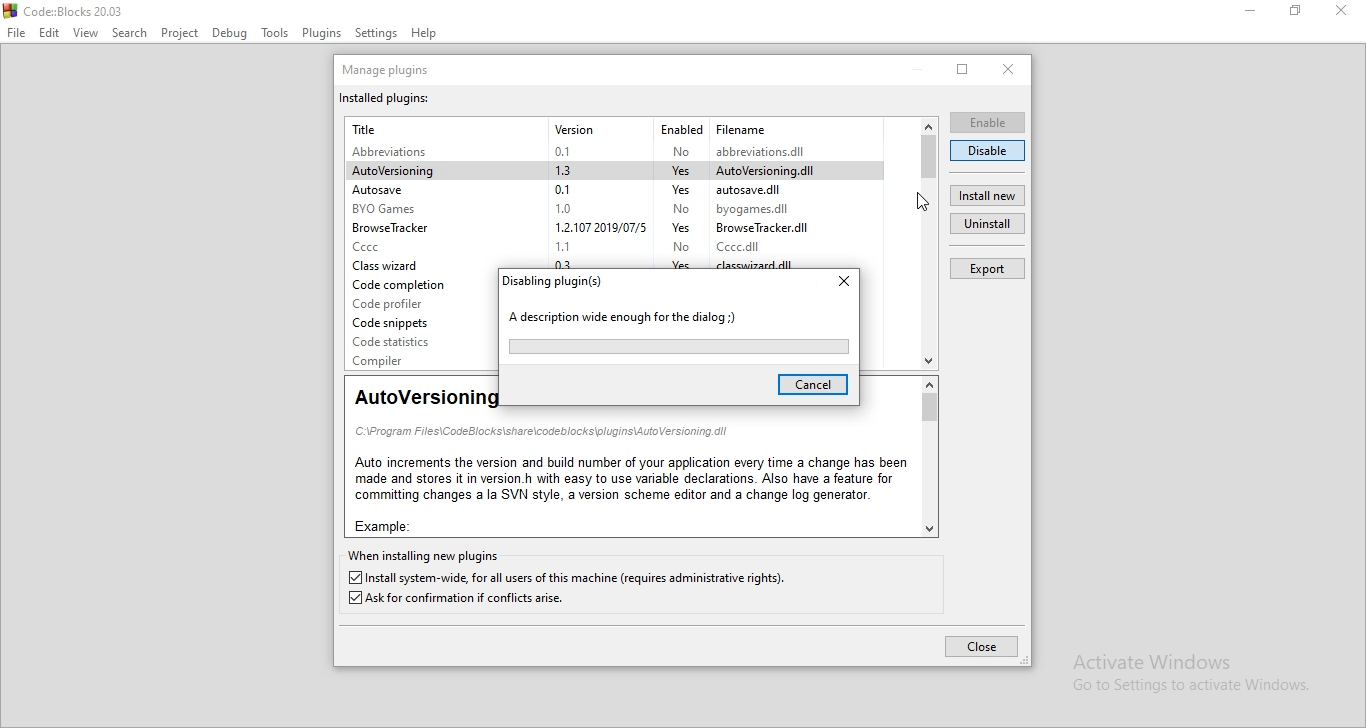  What do you see at coordinates (980, 646) in the screenshot?
I see `close` at bounding box center [980, 646].